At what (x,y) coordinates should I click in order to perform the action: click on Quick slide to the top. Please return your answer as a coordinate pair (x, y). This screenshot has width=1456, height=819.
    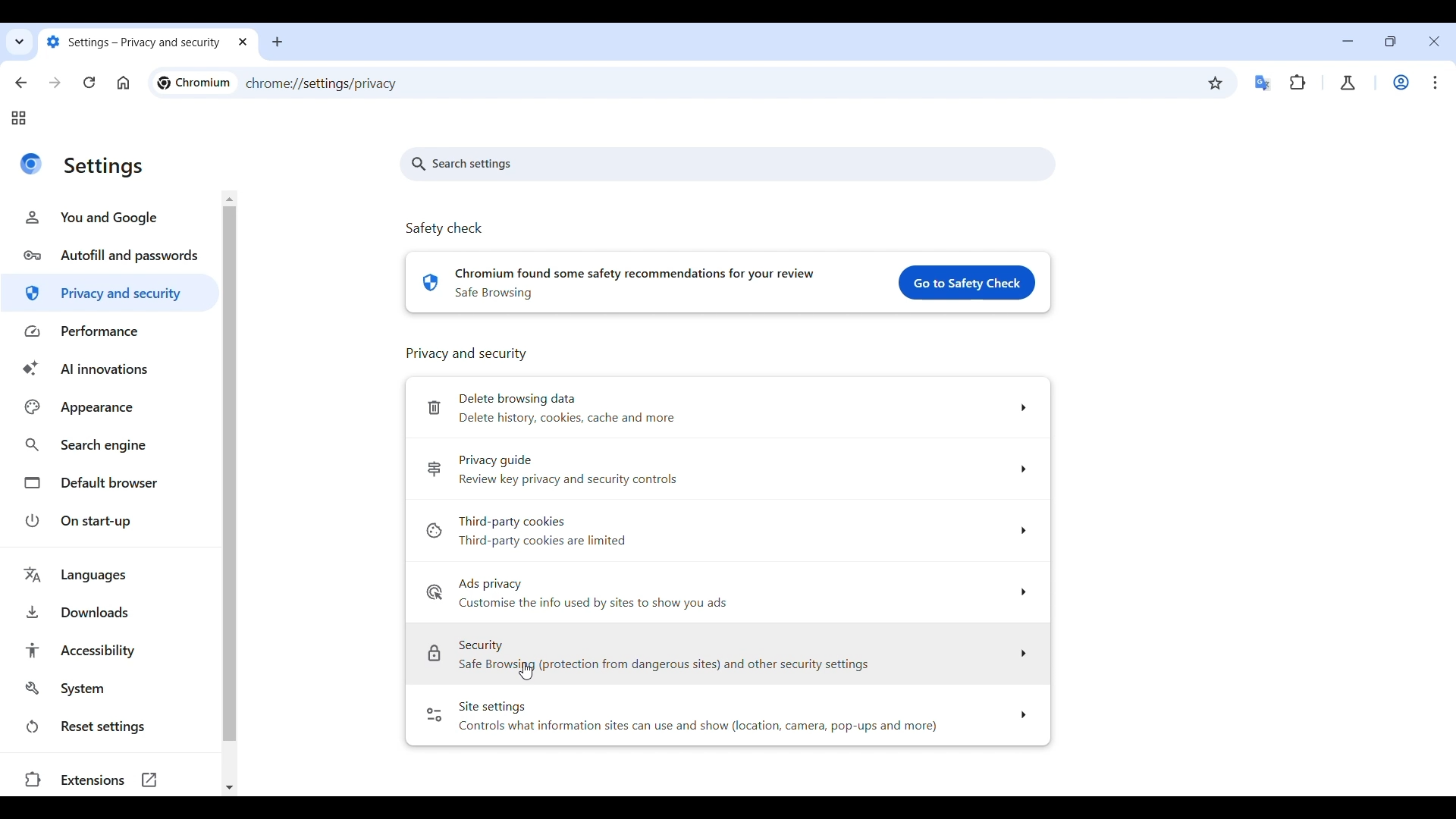
    Looking at the image, I should click on (230, 199).